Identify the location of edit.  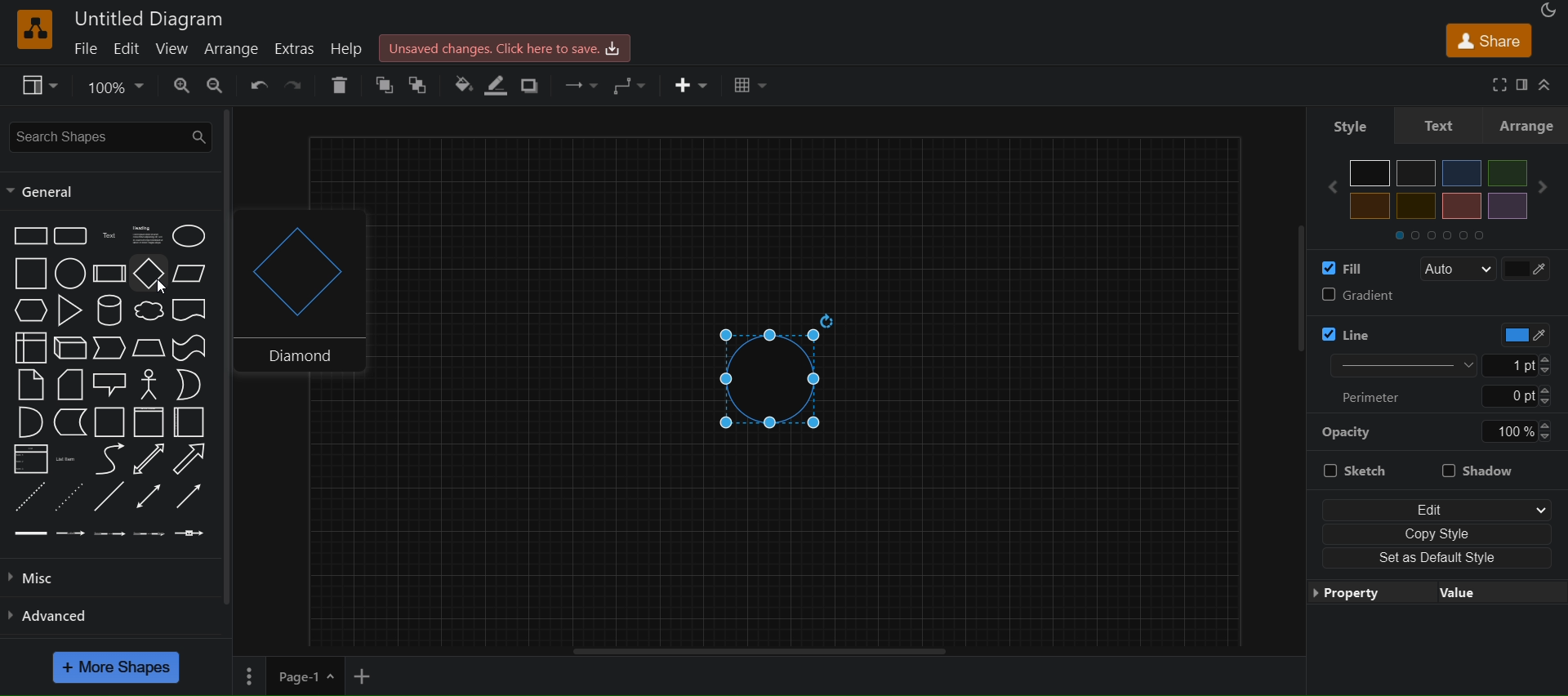
(128, 49).